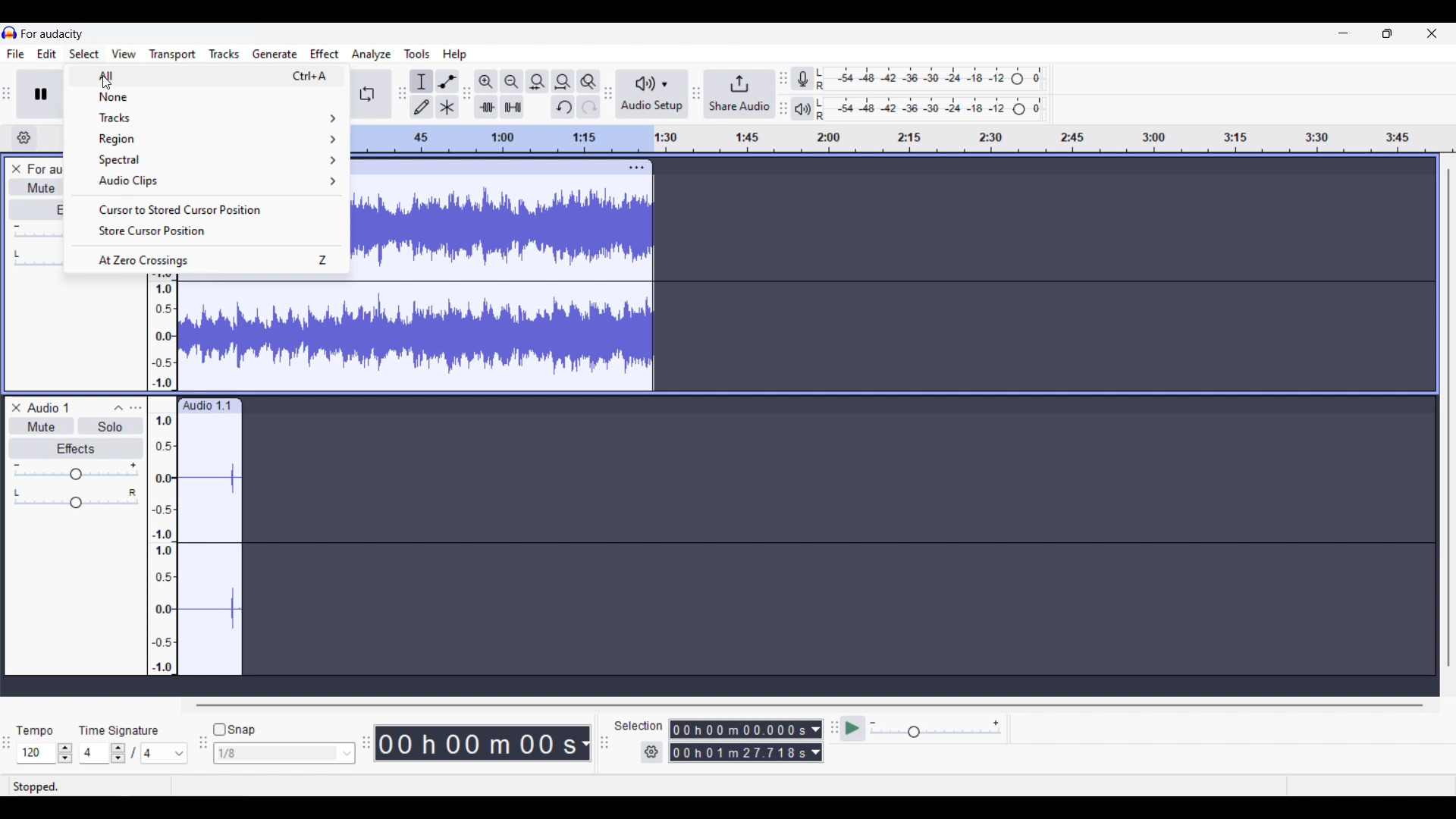 The width and height of the screenshot is (1456, 819). Describe the element at coordinates (511, 82) in the screenshot. I see `Zoom out` at that location.